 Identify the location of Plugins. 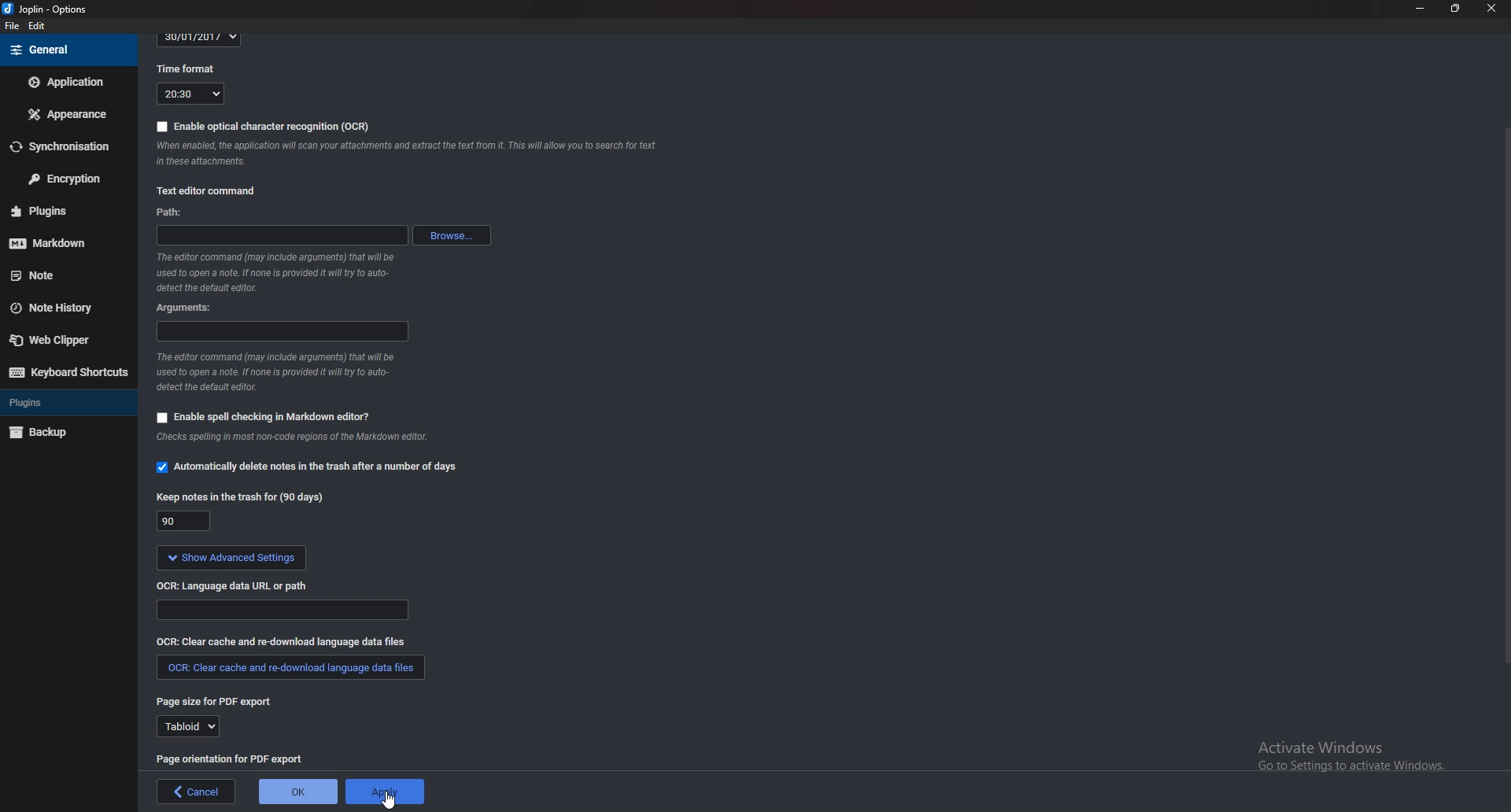
(60, 401).